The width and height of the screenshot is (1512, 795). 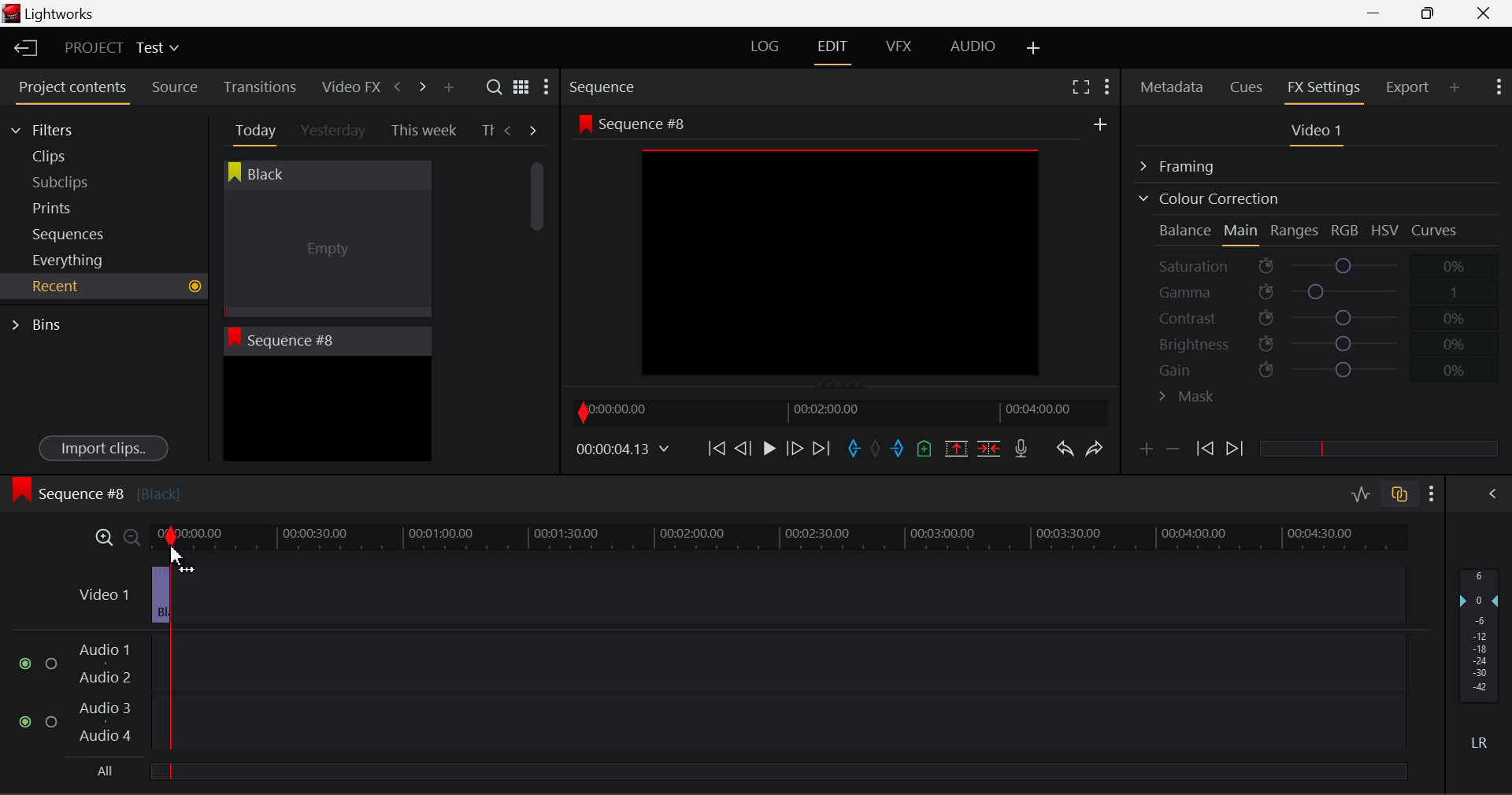 What do you see at coordinates (20, 49) in the screenshot?
I see `Back to Homepage` at bounding box center [20, 49].